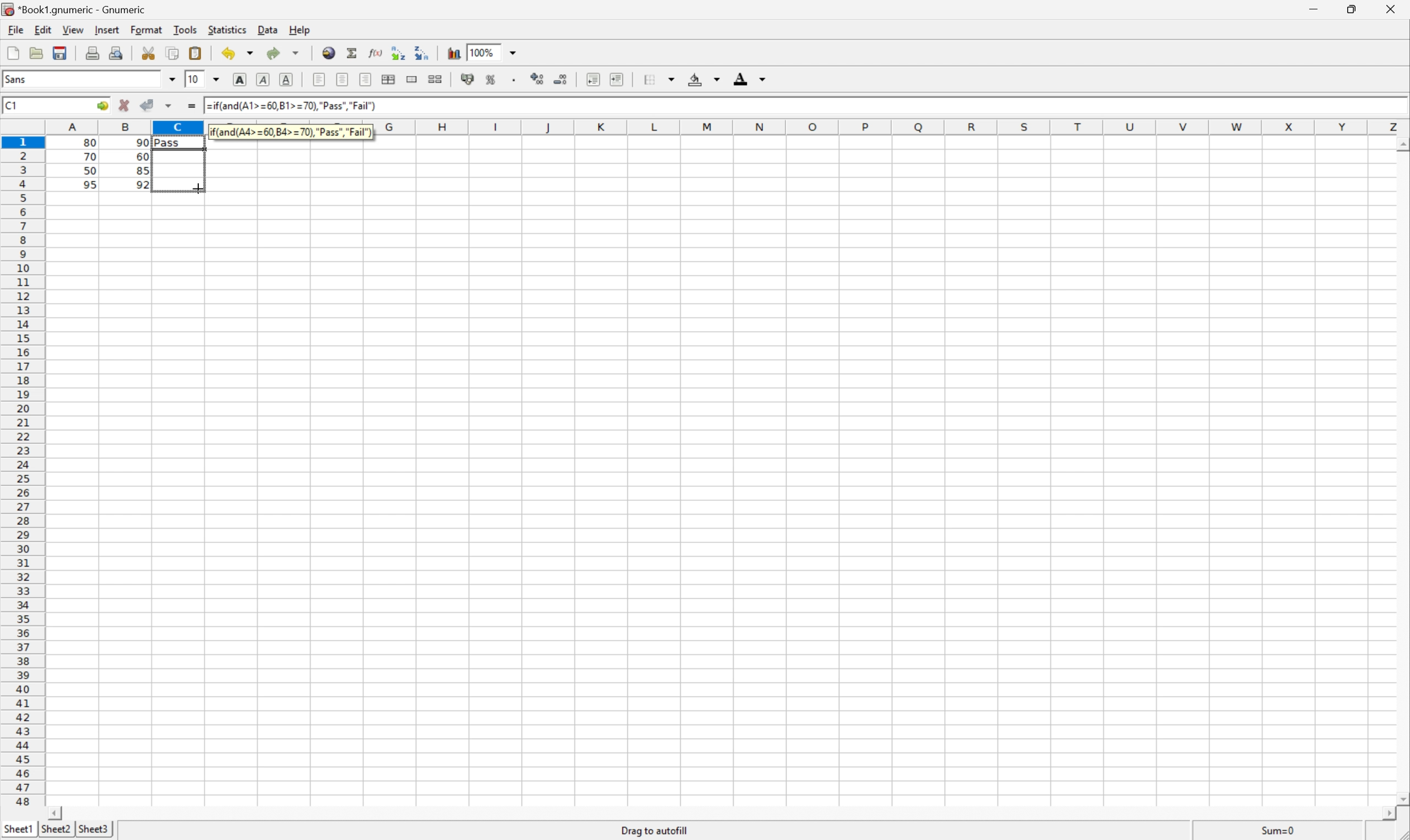 This screenshot has height=840, width=1410. What do you see at coordinates (539, 79) in the screenshot?
I see `Increase the number of decimals displayed` at bounding box center [539, 79].